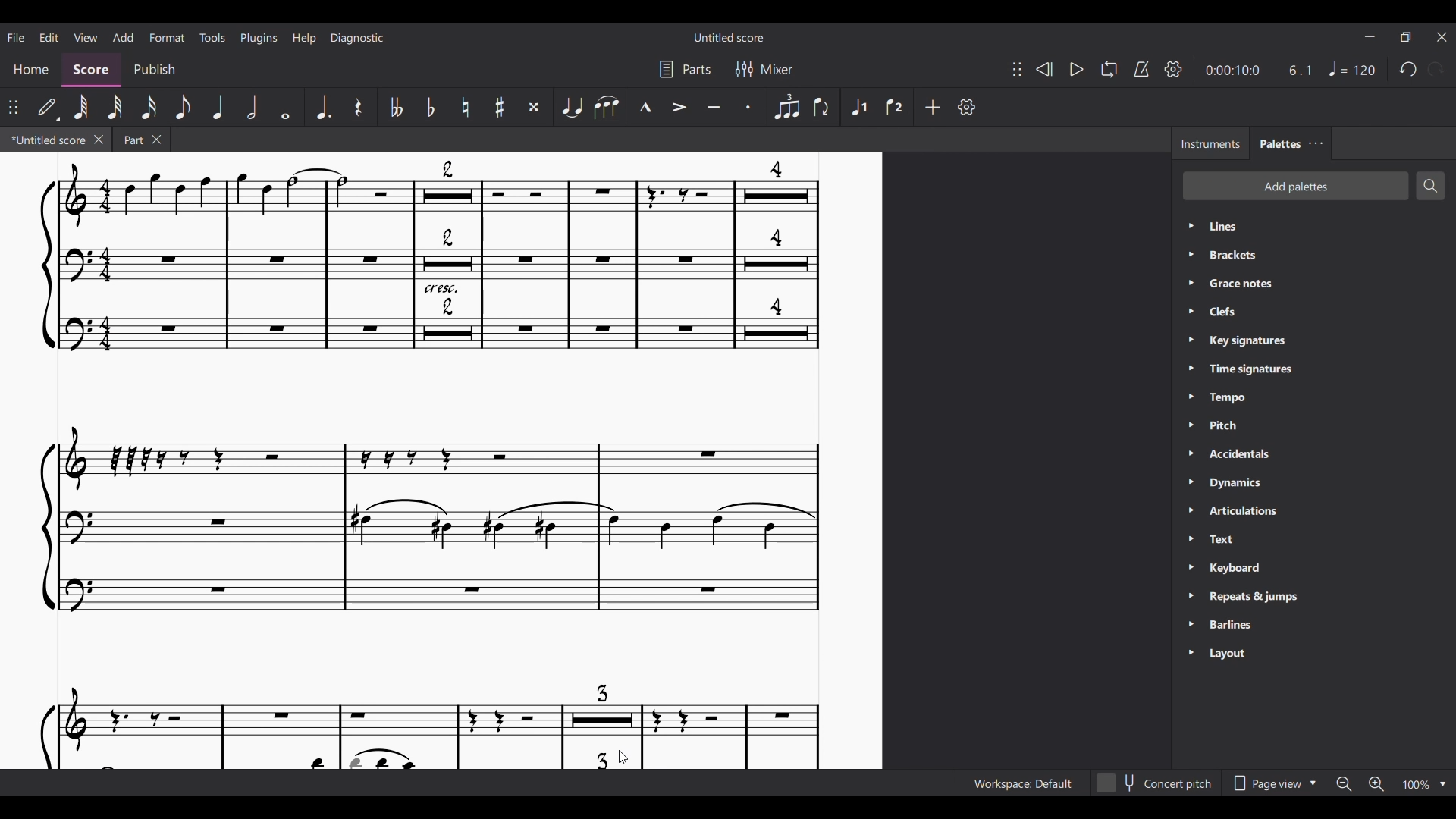 This screenshot has width=1456, height=819. Describe the element at coordinates (81, 108) in the screenshot. I see `64th note` at that location.